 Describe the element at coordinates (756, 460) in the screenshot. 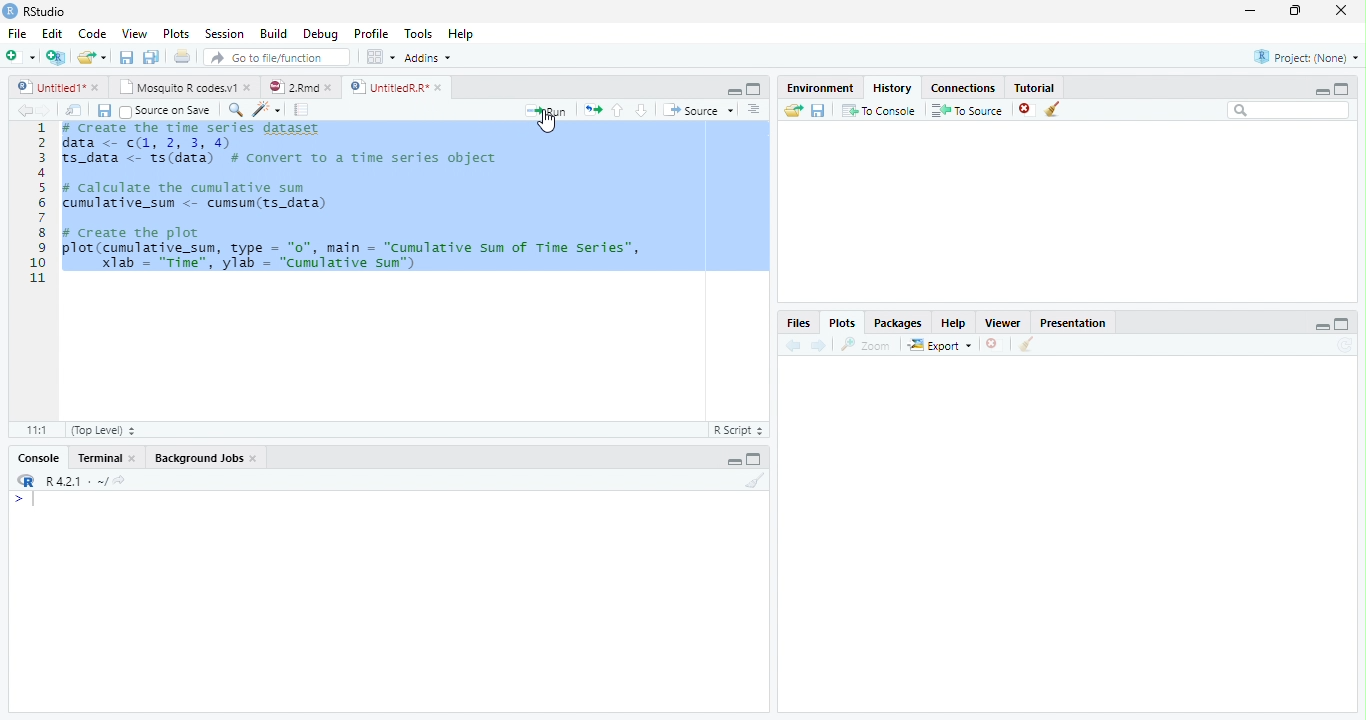

I see `Maximize` at that location.